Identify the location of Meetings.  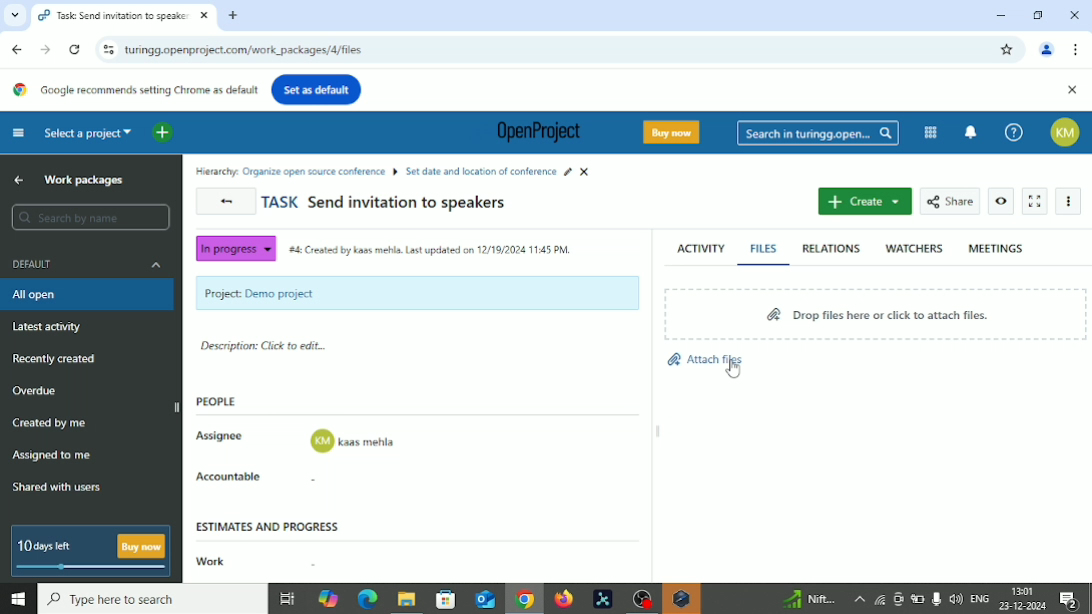
(996, 248).